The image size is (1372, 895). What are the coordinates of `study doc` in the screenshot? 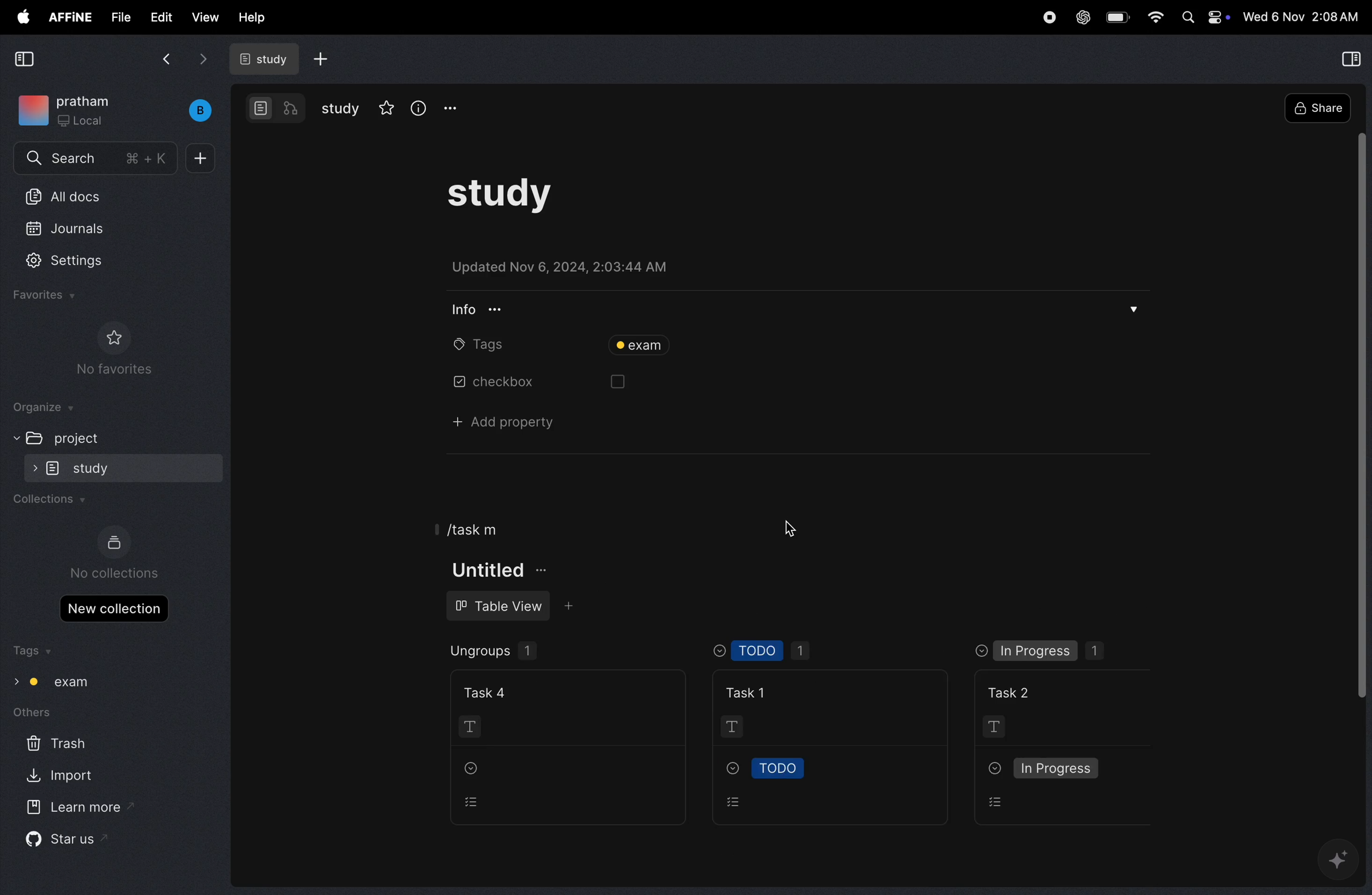 It's located at (269, 60).